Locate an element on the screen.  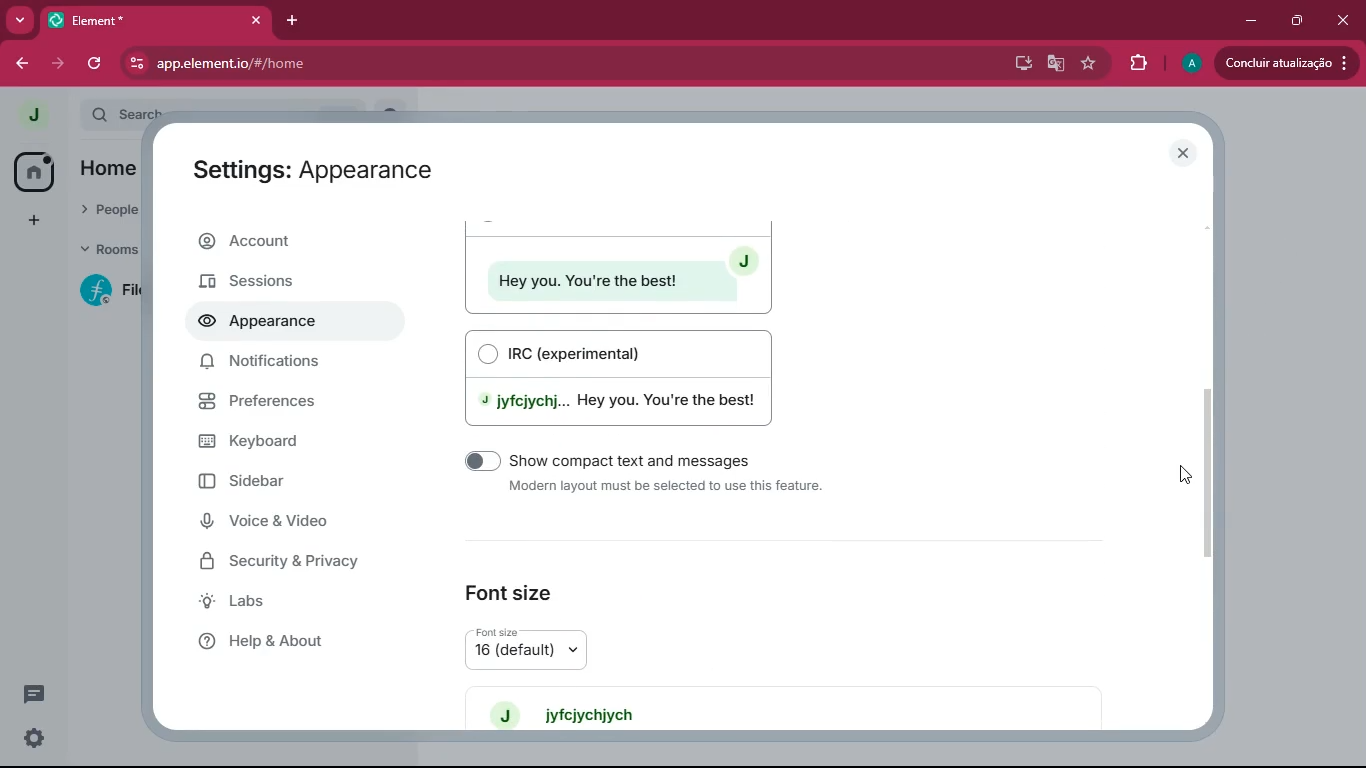
sessions is located at coordinates (288, 283).